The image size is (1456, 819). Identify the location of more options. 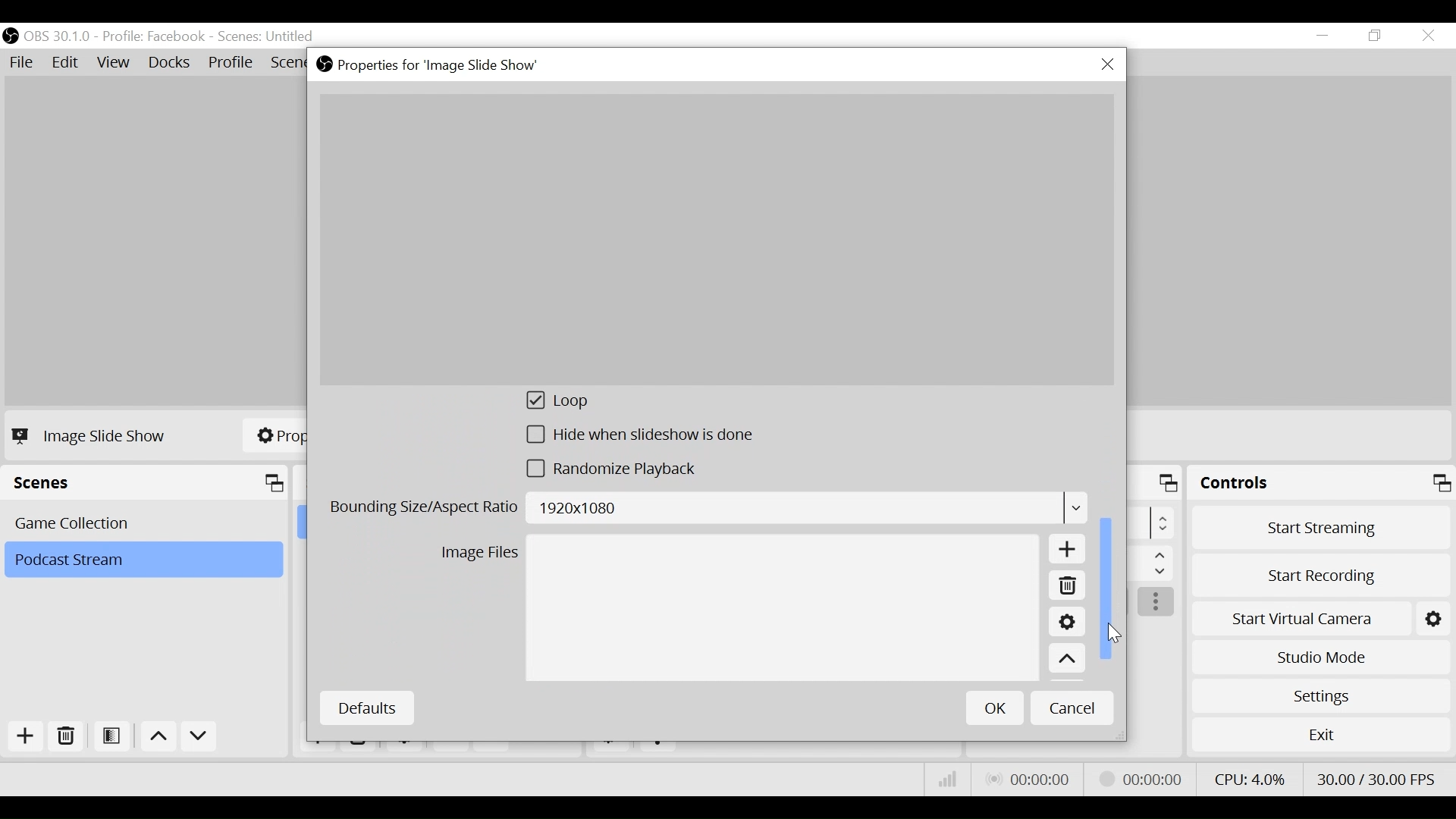
(1157, 603).